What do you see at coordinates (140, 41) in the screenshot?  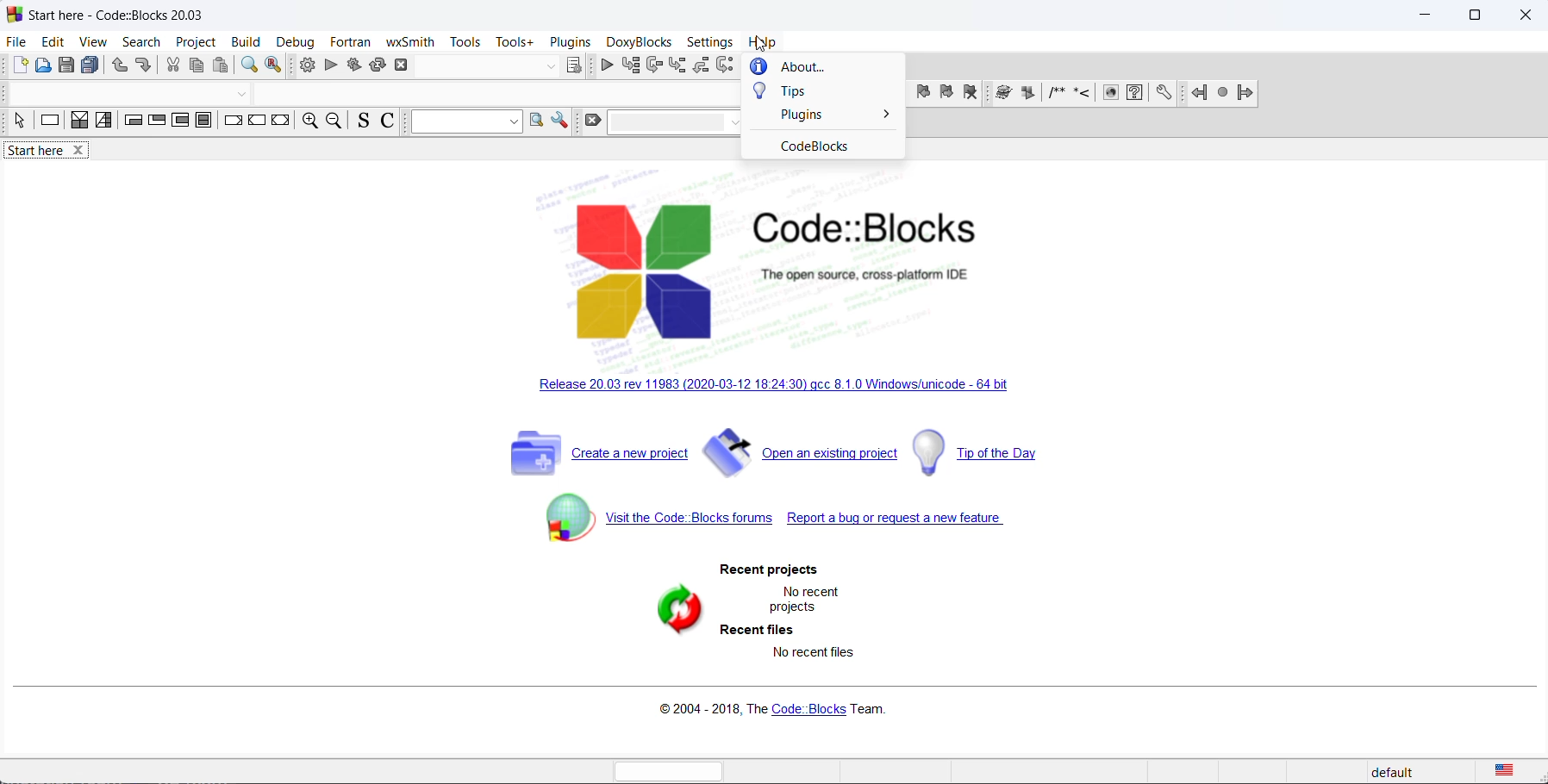 I see `search` at bounding box center [140, 41].